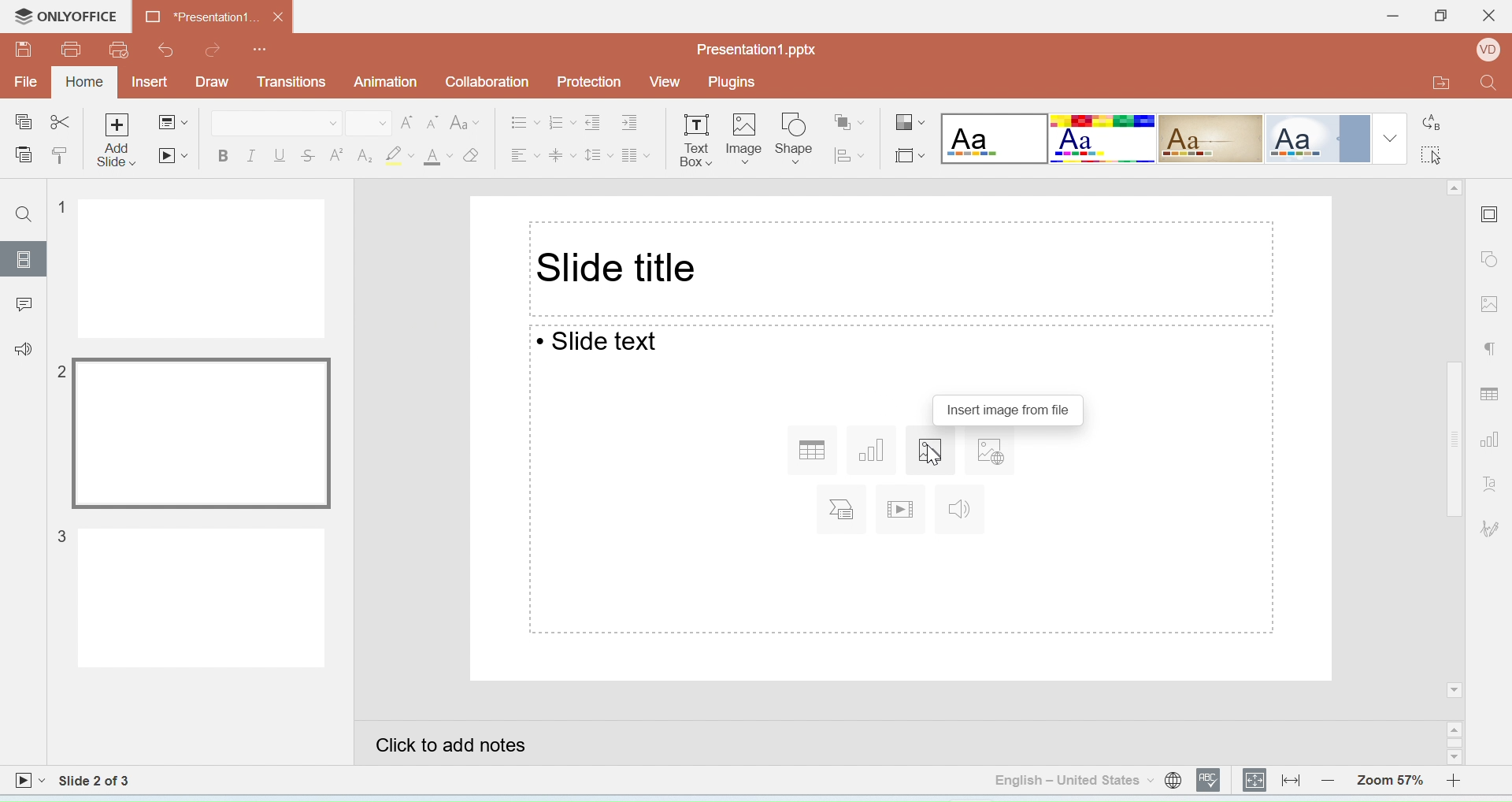  I want to click on Change color theme, so click(910, 124).